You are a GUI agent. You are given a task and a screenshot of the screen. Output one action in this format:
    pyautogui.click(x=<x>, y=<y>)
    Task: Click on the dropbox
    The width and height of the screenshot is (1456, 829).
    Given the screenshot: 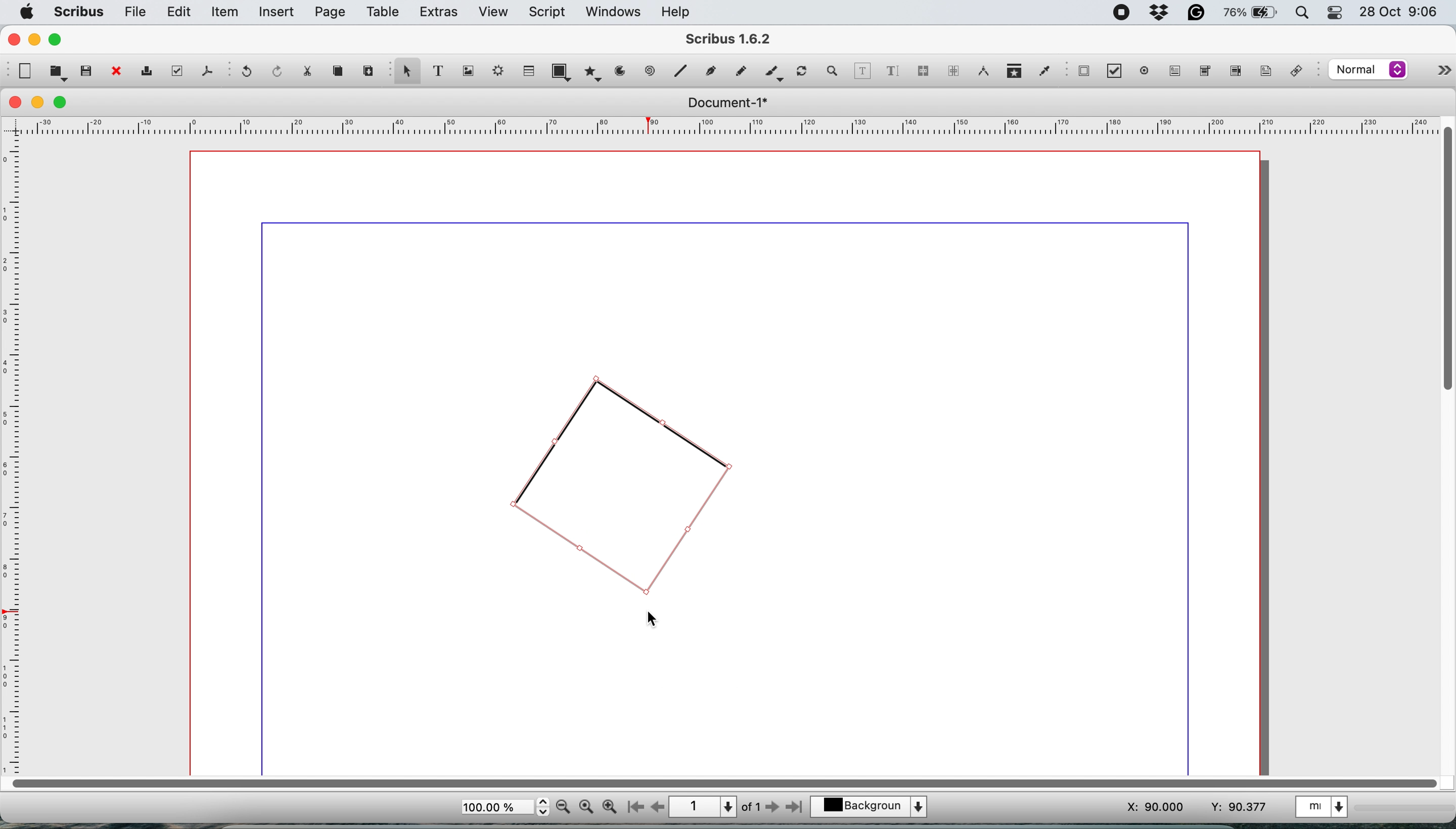 What is the action you would take?
    pyautogui.click(x=1160, y=13)
    